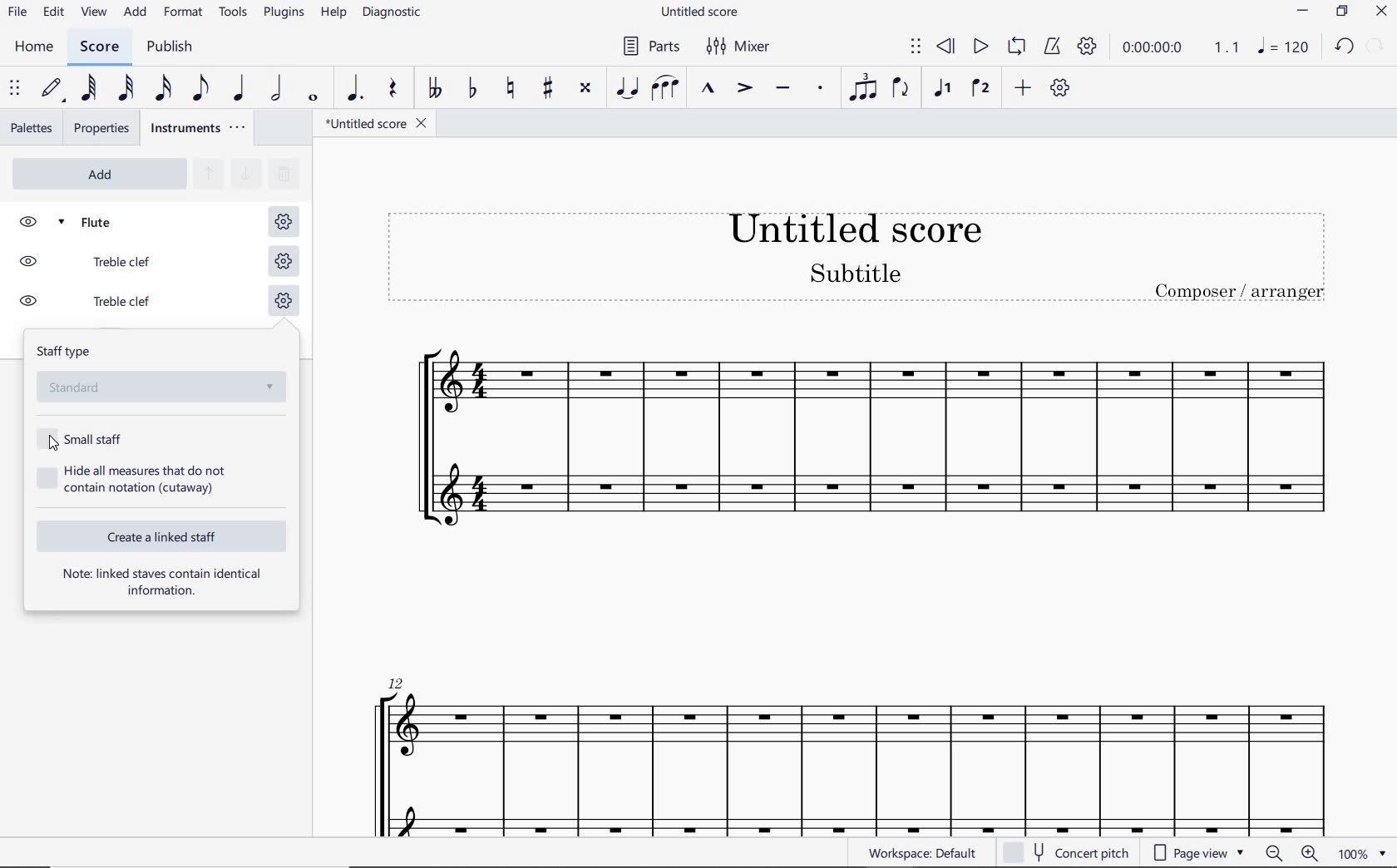 This screenshot has width=1397, height=868. Describe the element at coordinates (375, 124) in the screenshot. I see `file name` at that location.